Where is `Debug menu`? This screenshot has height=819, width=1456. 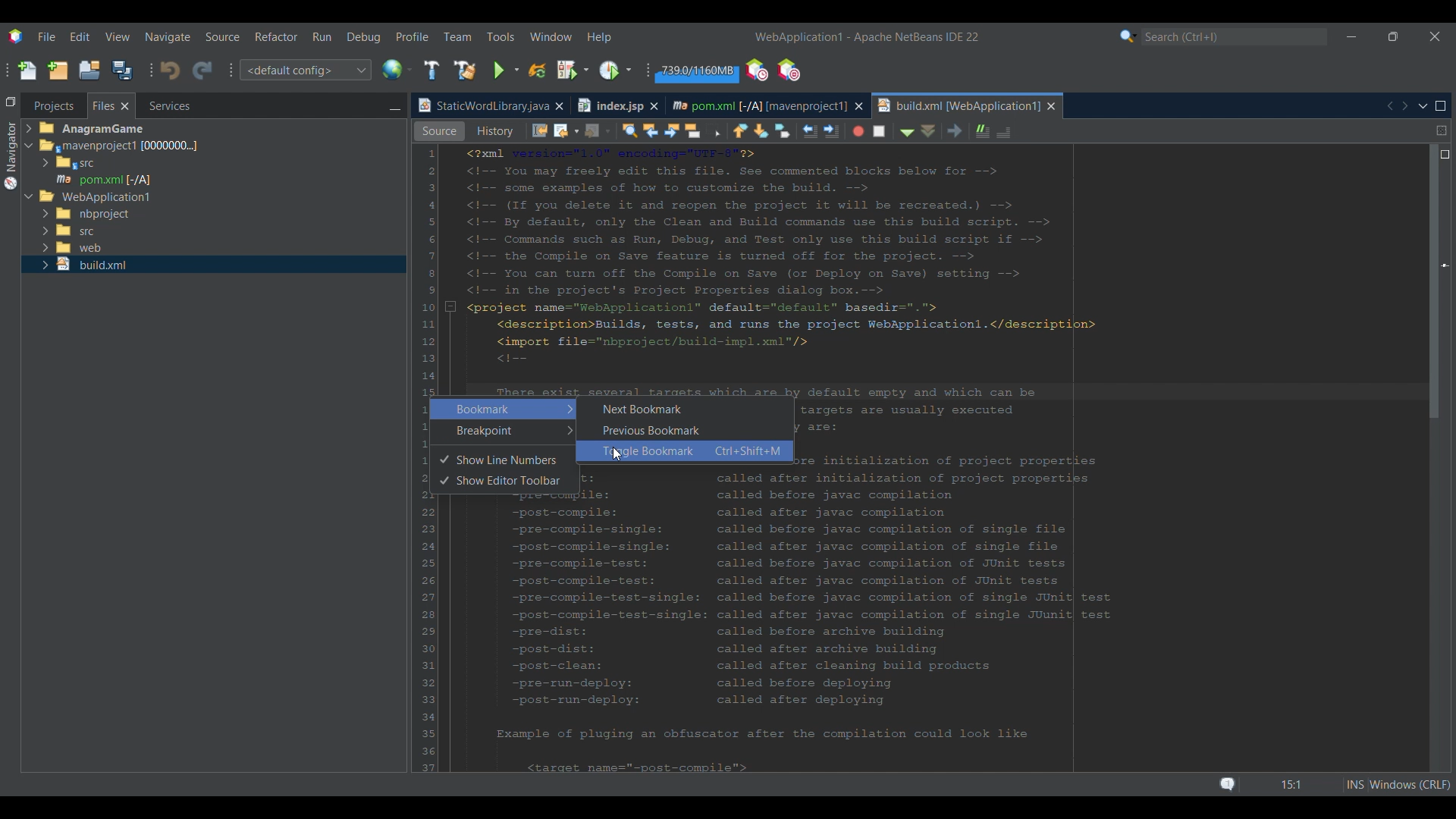 Debug menu is located at coordinates (364, 37).